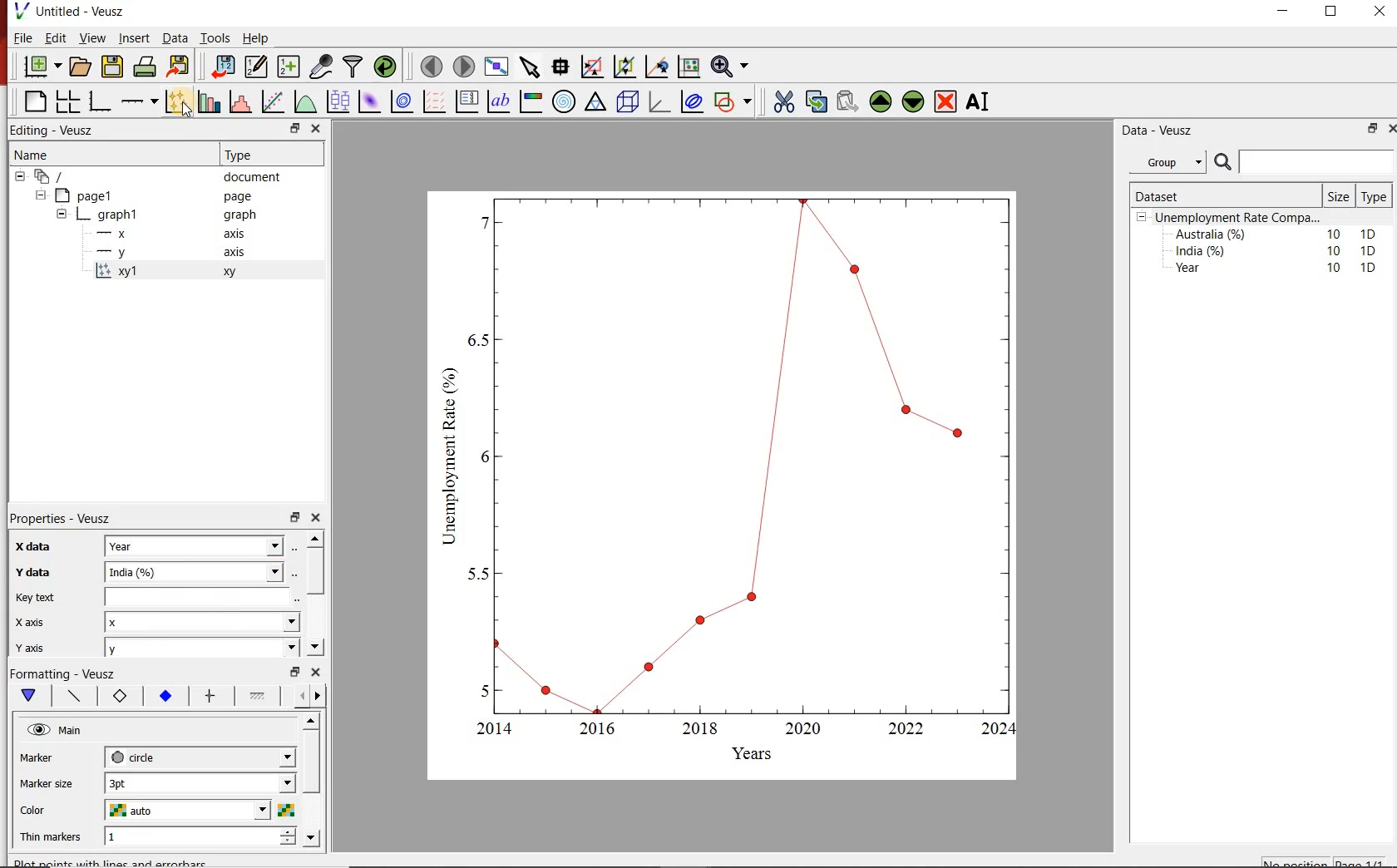 Image resolution: width=1397 pixels, height=868 pixels. I want to click on click to resset graph axes, so click(689, 65).